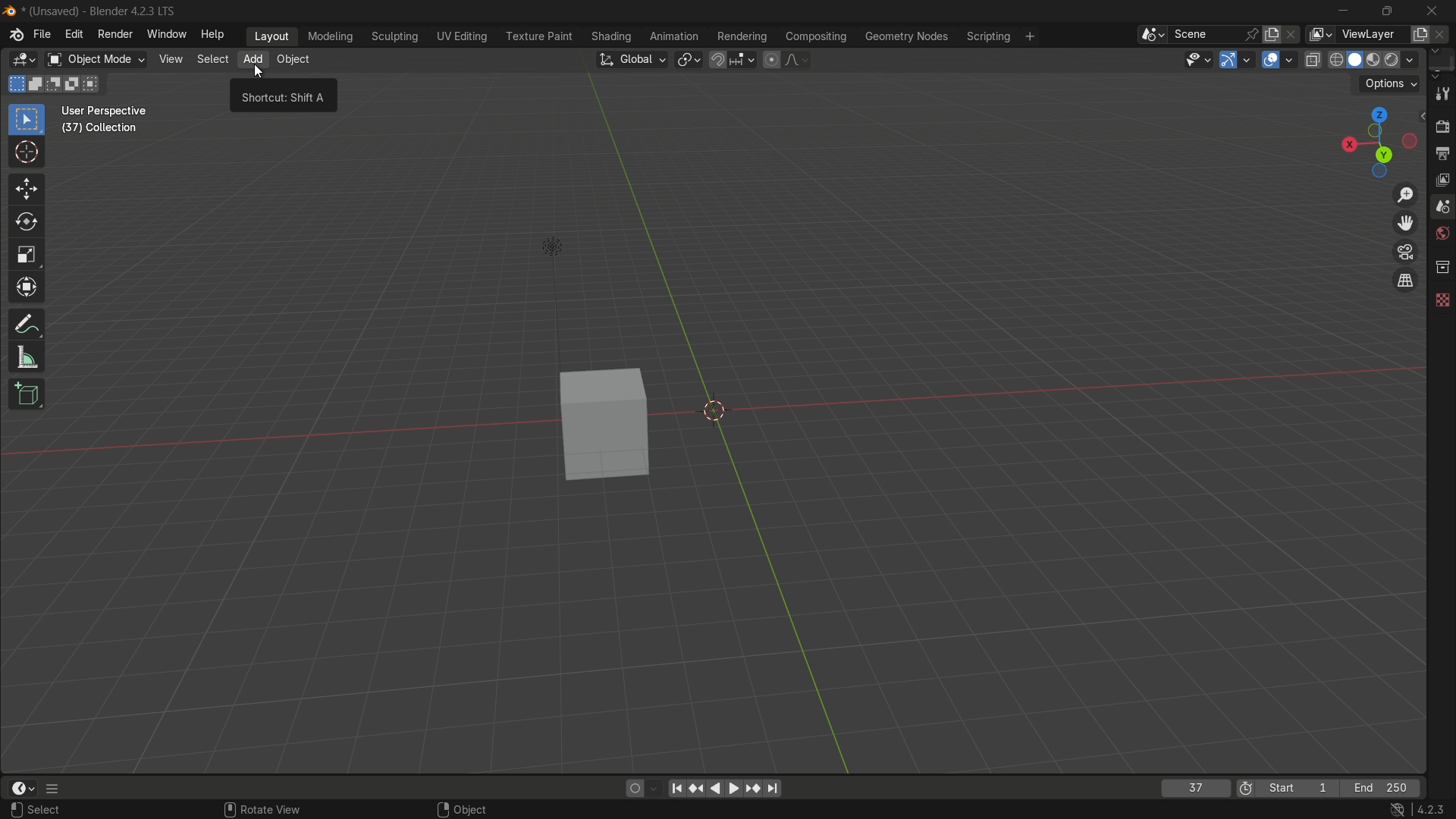 Image resolution: width=1456 pixels, height=819 pixels. I want to click on select box, so click(27, 119).